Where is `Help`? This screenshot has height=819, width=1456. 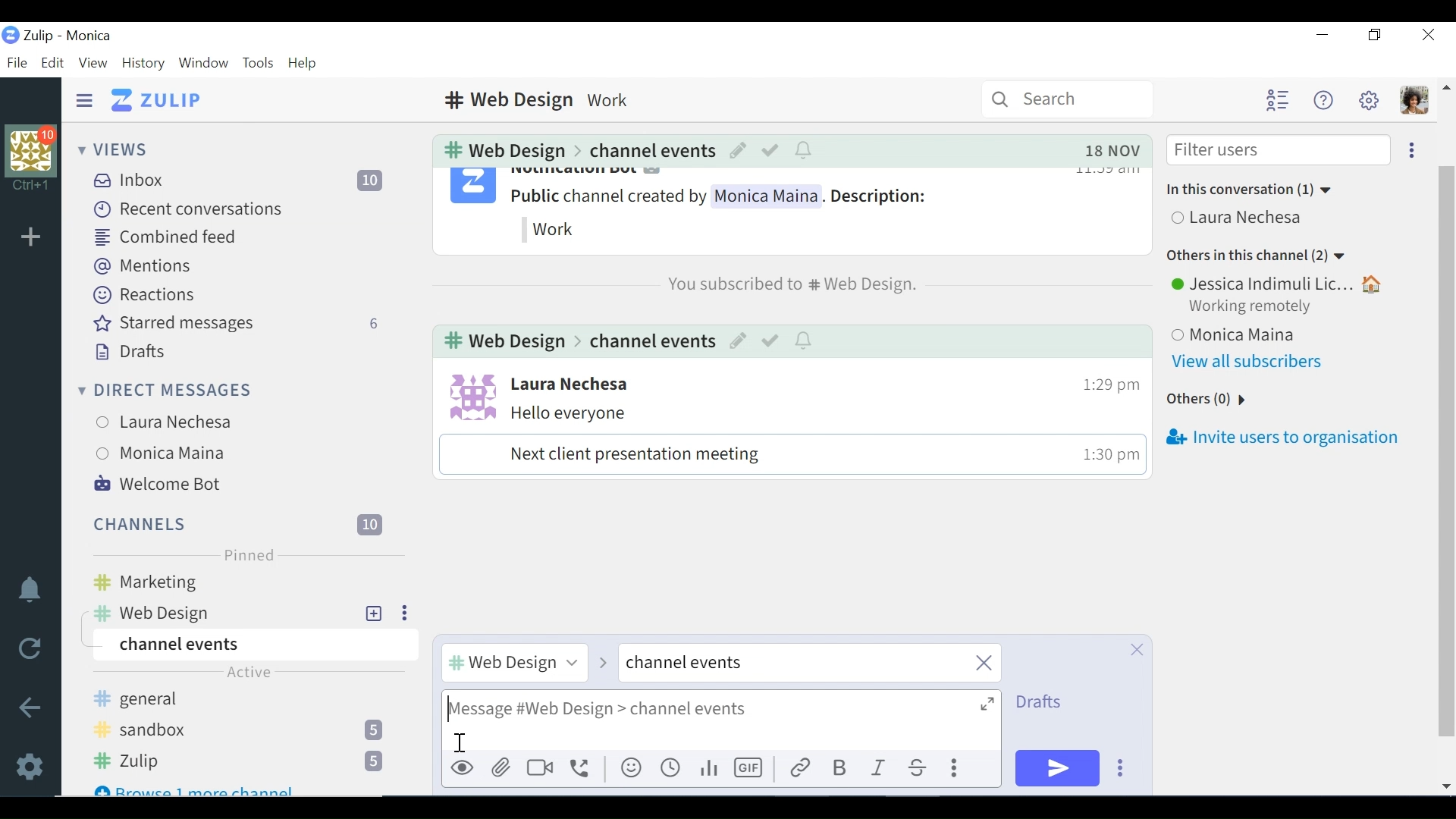 Help is located at coordinates (304, 64).